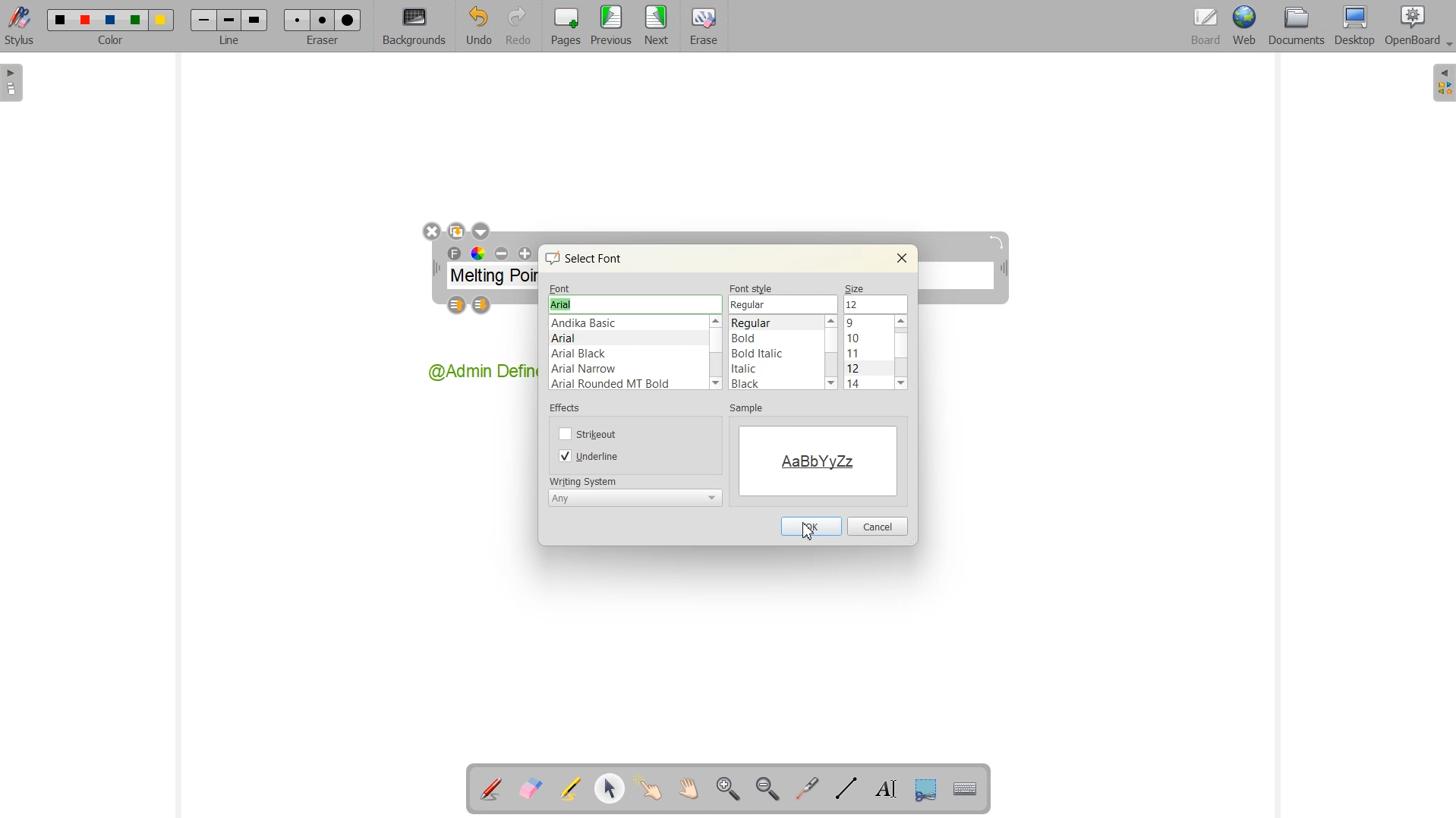  What do you see at coordinates (459, 306) in the screenshot?
I see `Layer Up` at bounding box center [459, 306].